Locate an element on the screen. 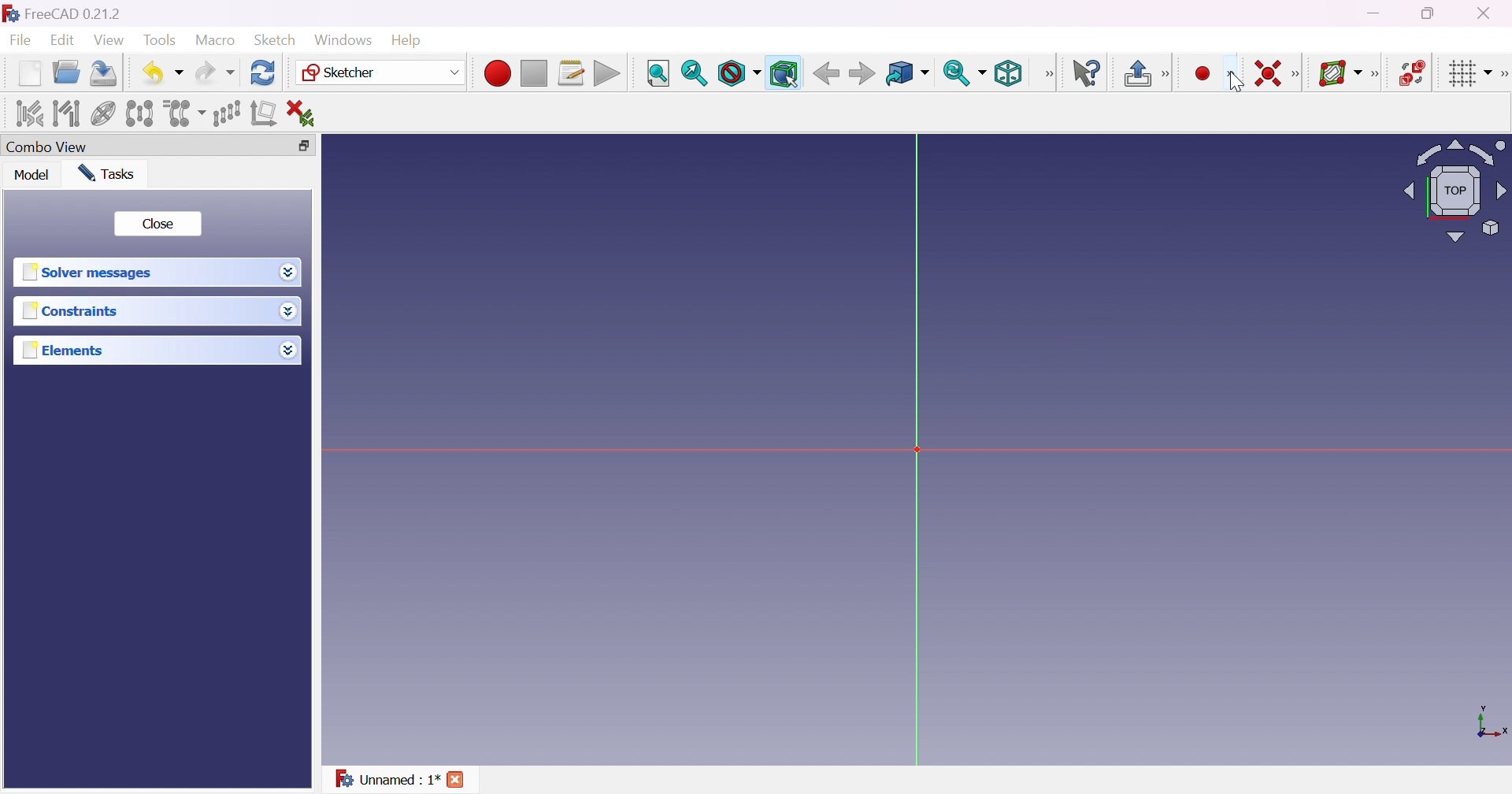 This screenshot has width=1512, height=794. New is located at coordinates (28, 73).